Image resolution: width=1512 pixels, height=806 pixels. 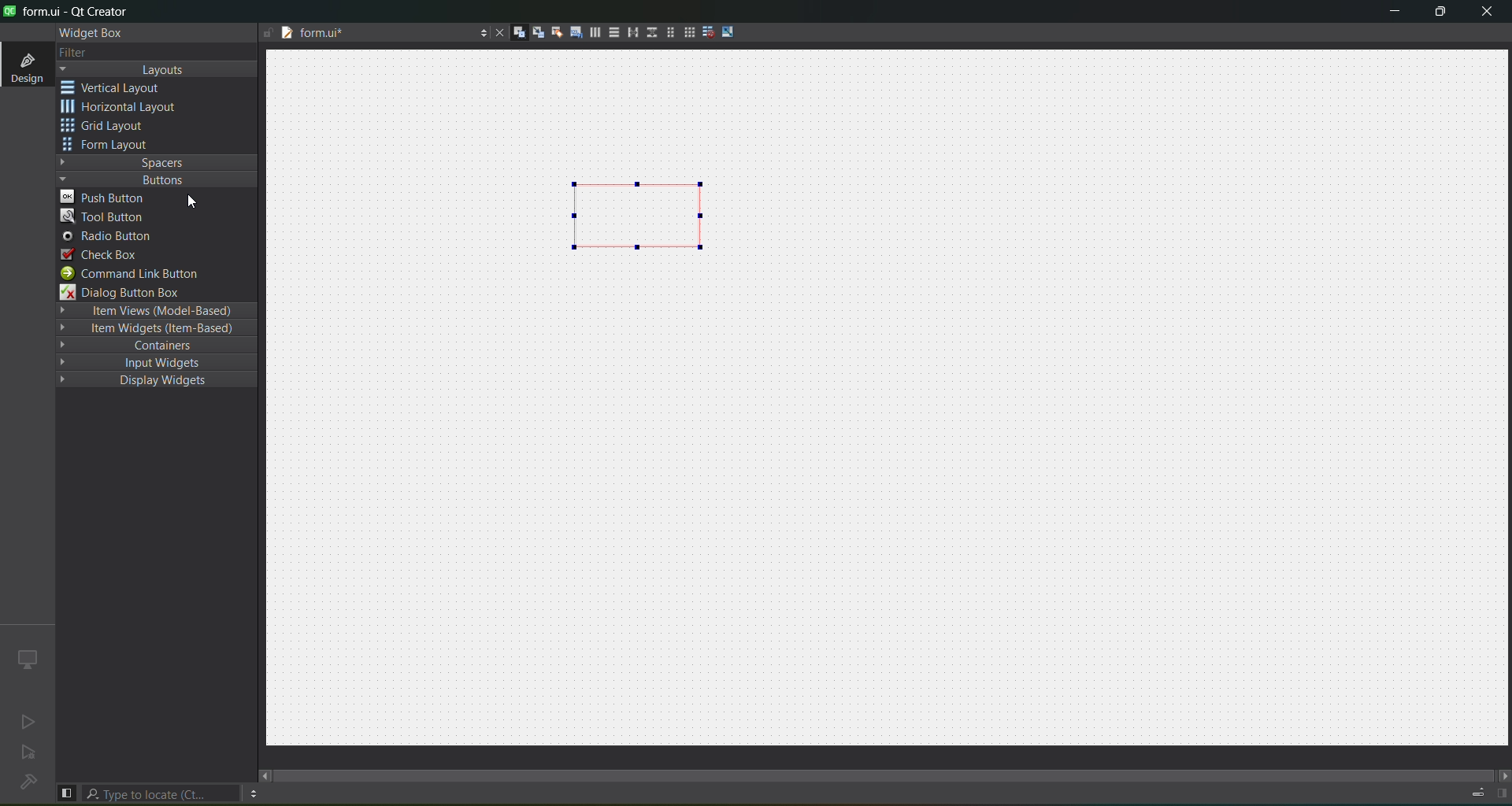 I want to click on edit buddies, so click(x=554, y=31).